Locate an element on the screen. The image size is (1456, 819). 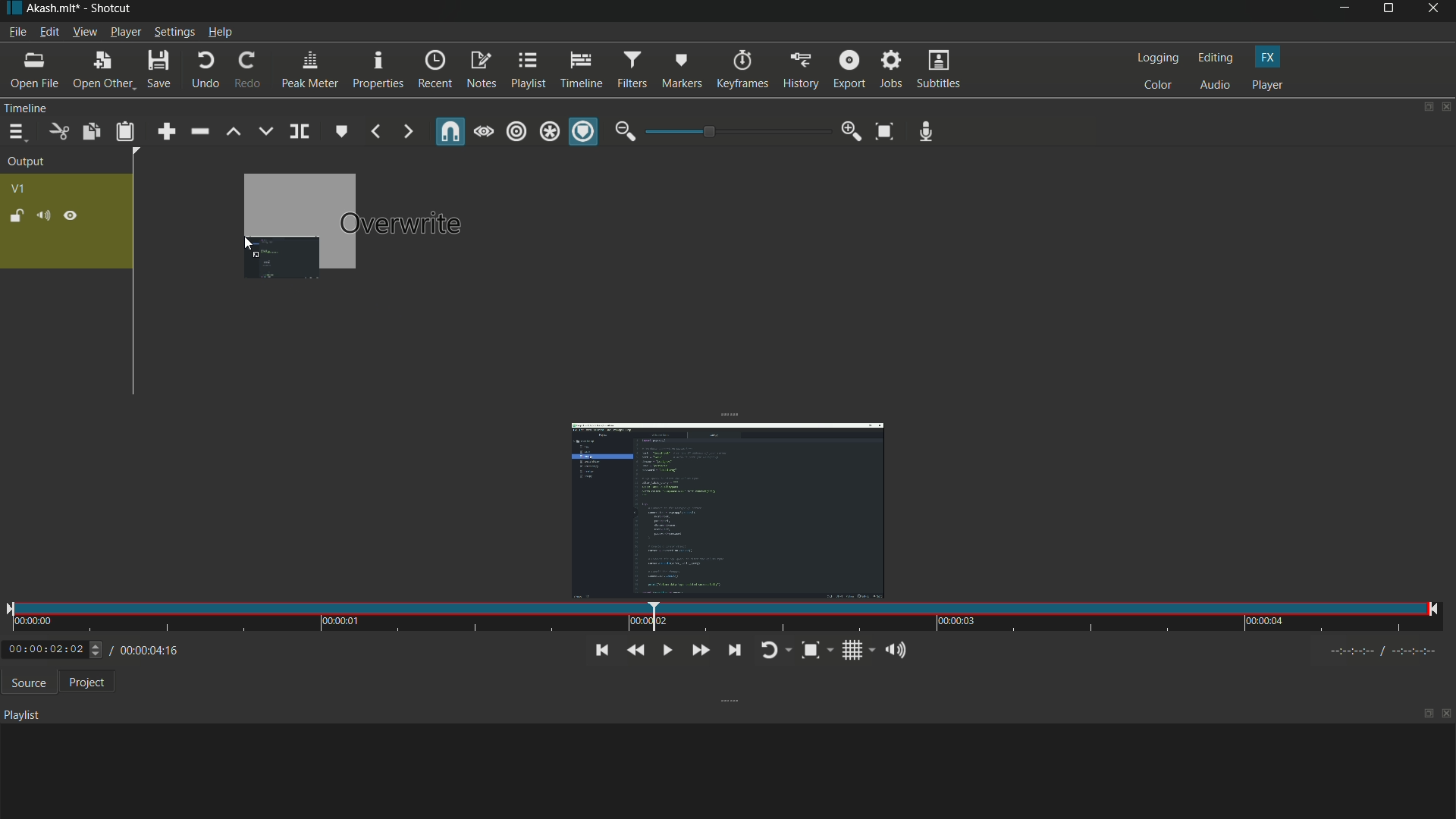
save is located at coordinates (158, 70).